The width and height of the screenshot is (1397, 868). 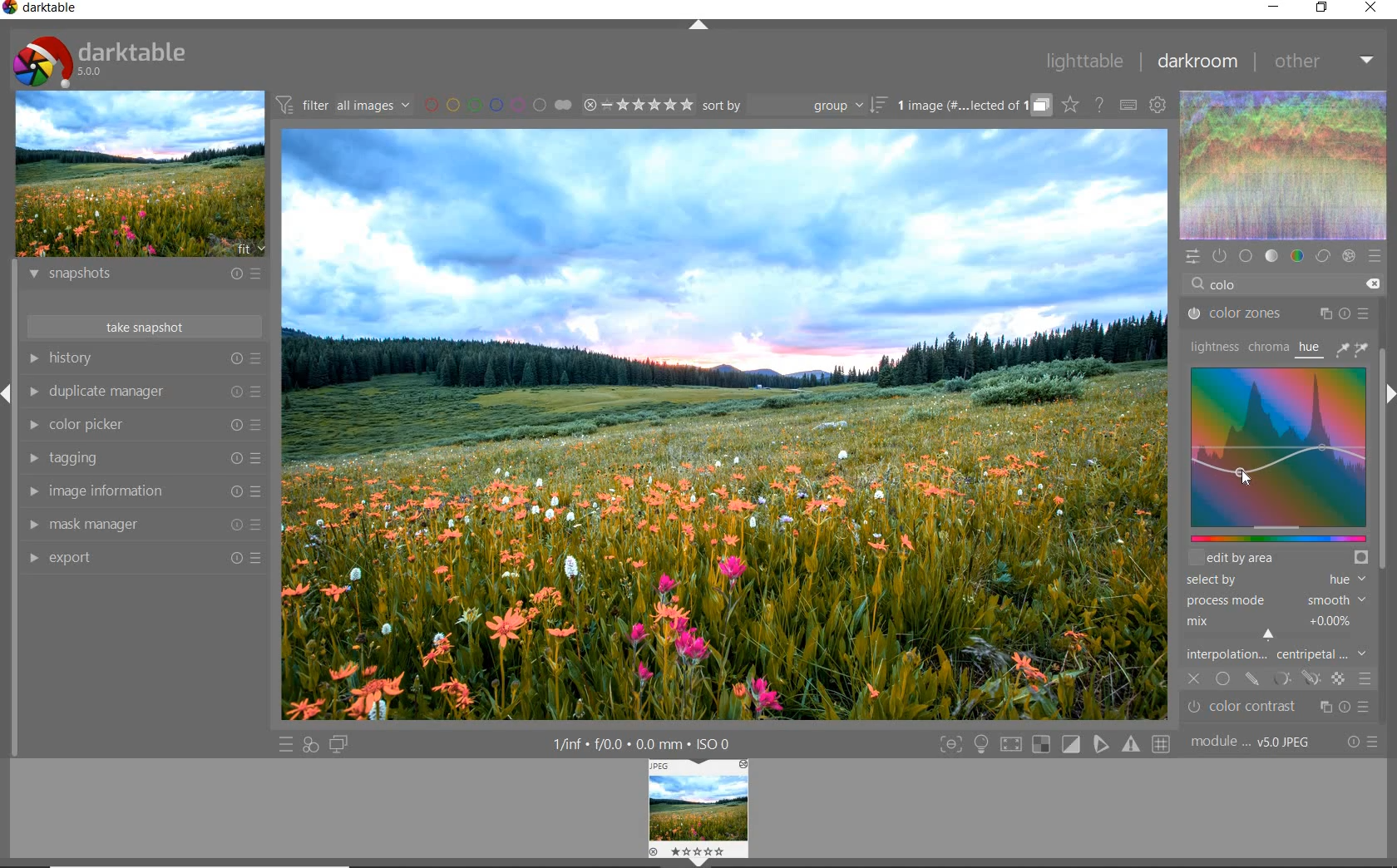 I want to click on chroma, so click(x=1268, y=347).